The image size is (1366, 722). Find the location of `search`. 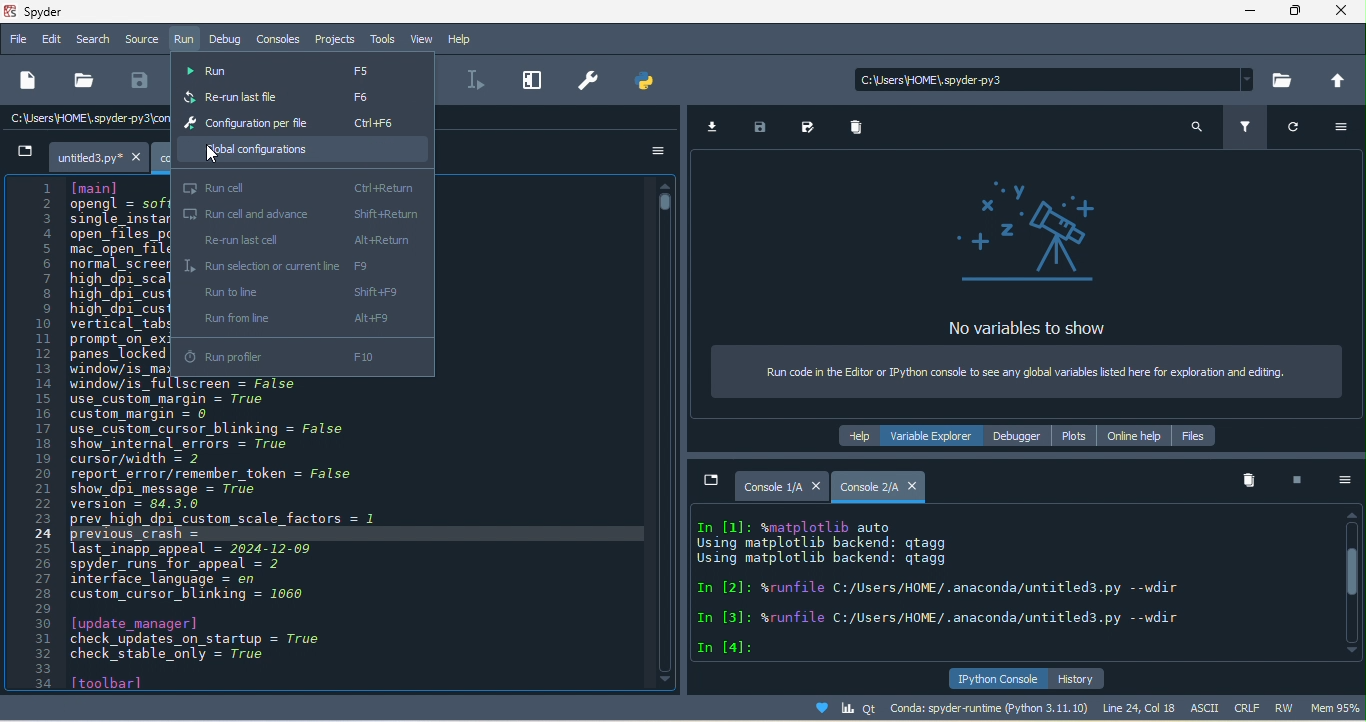

search is located at coordinates (1199, 128).